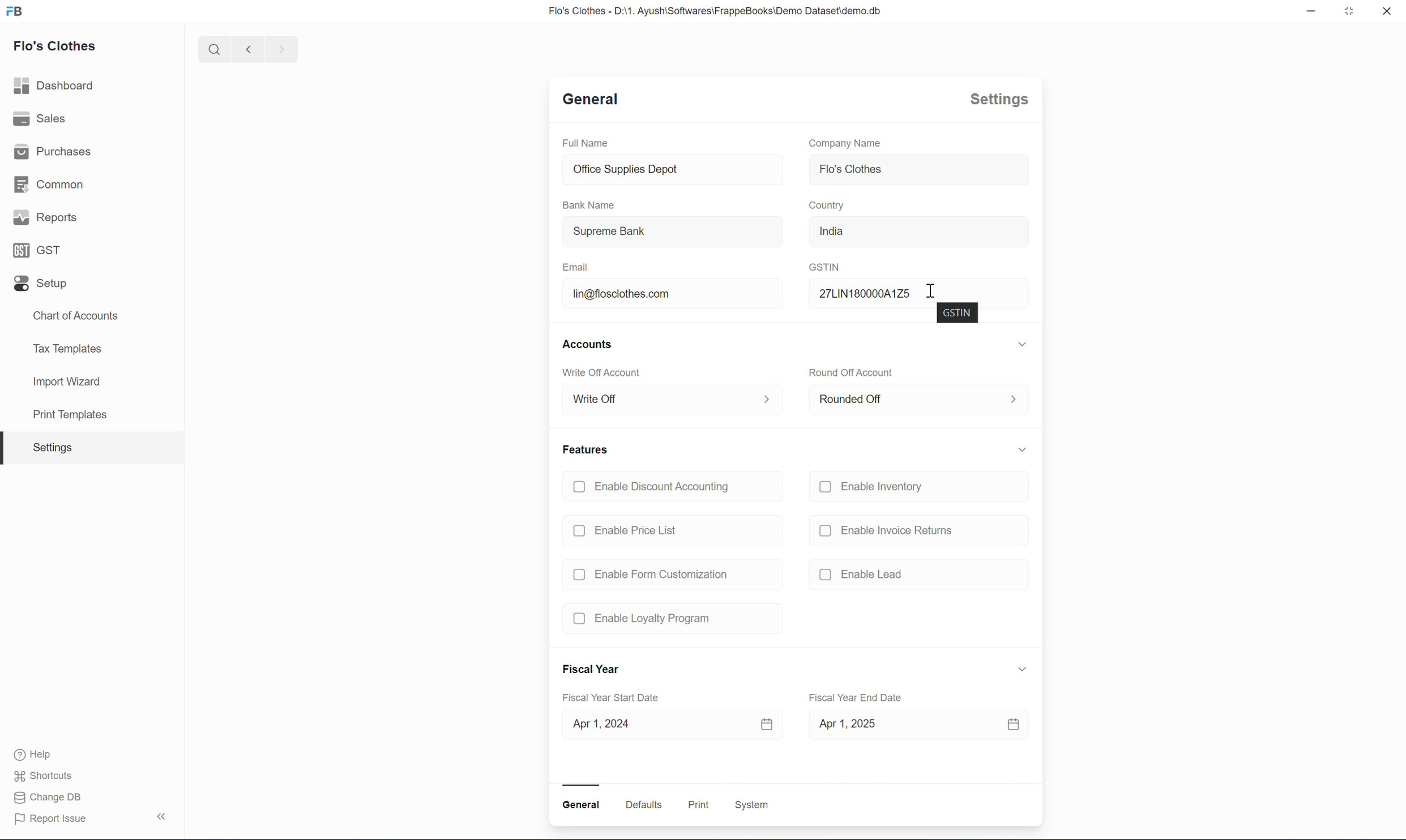  I want to click on Help, so click(38, 755).